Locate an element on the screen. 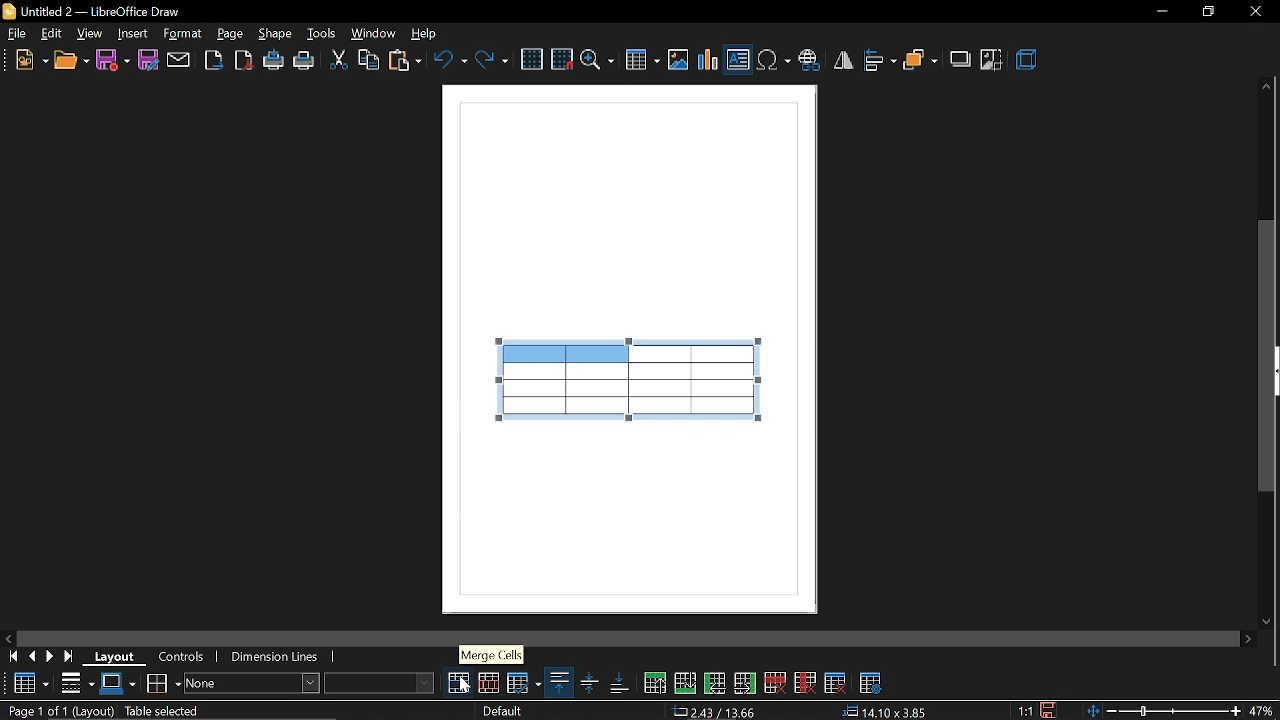 The width and height of the screenshot is (1280, 720). border color is located at coordinates (118, 683).